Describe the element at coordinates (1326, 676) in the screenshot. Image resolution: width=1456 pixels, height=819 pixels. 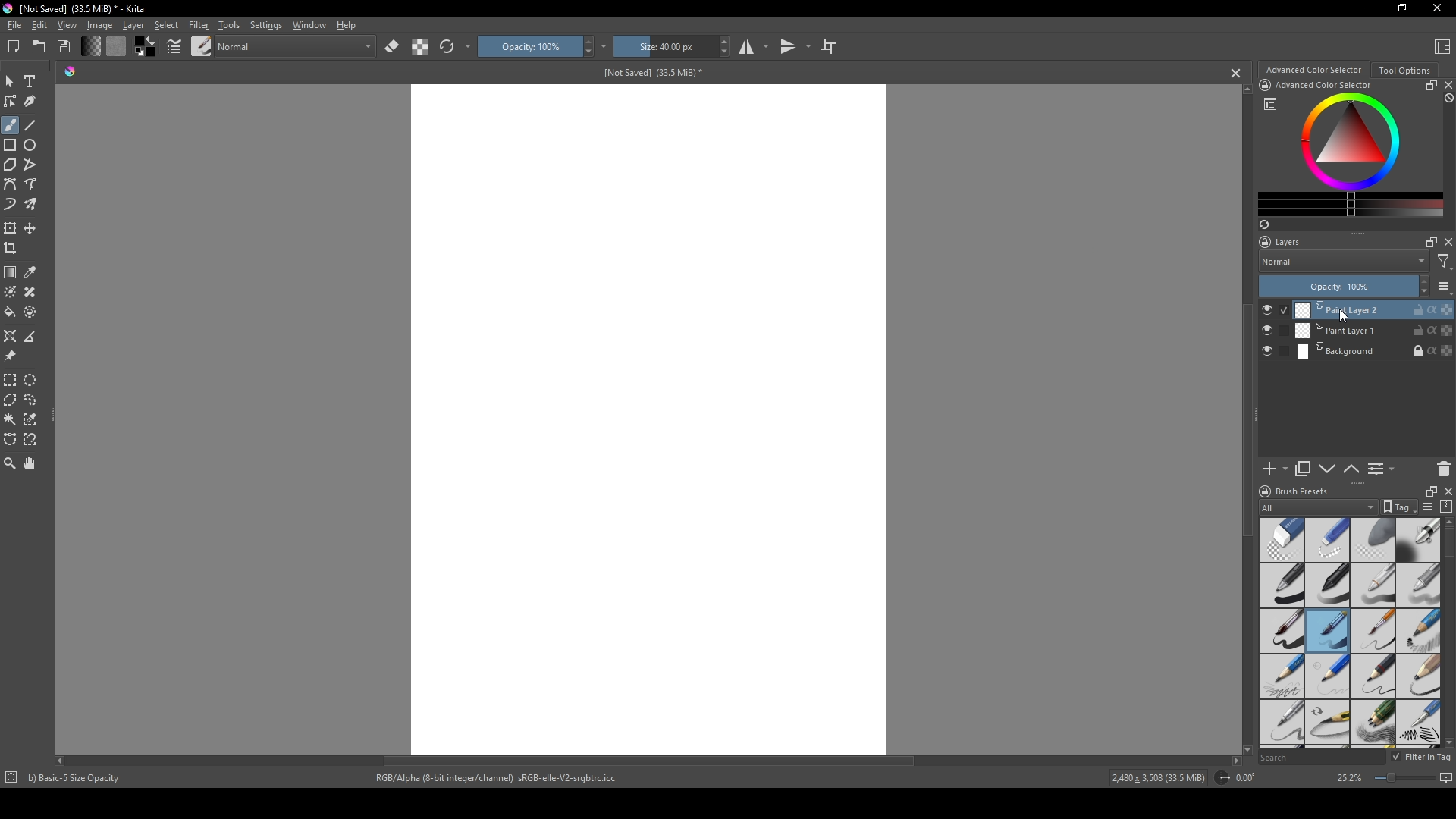
I see `pencil` at that location.